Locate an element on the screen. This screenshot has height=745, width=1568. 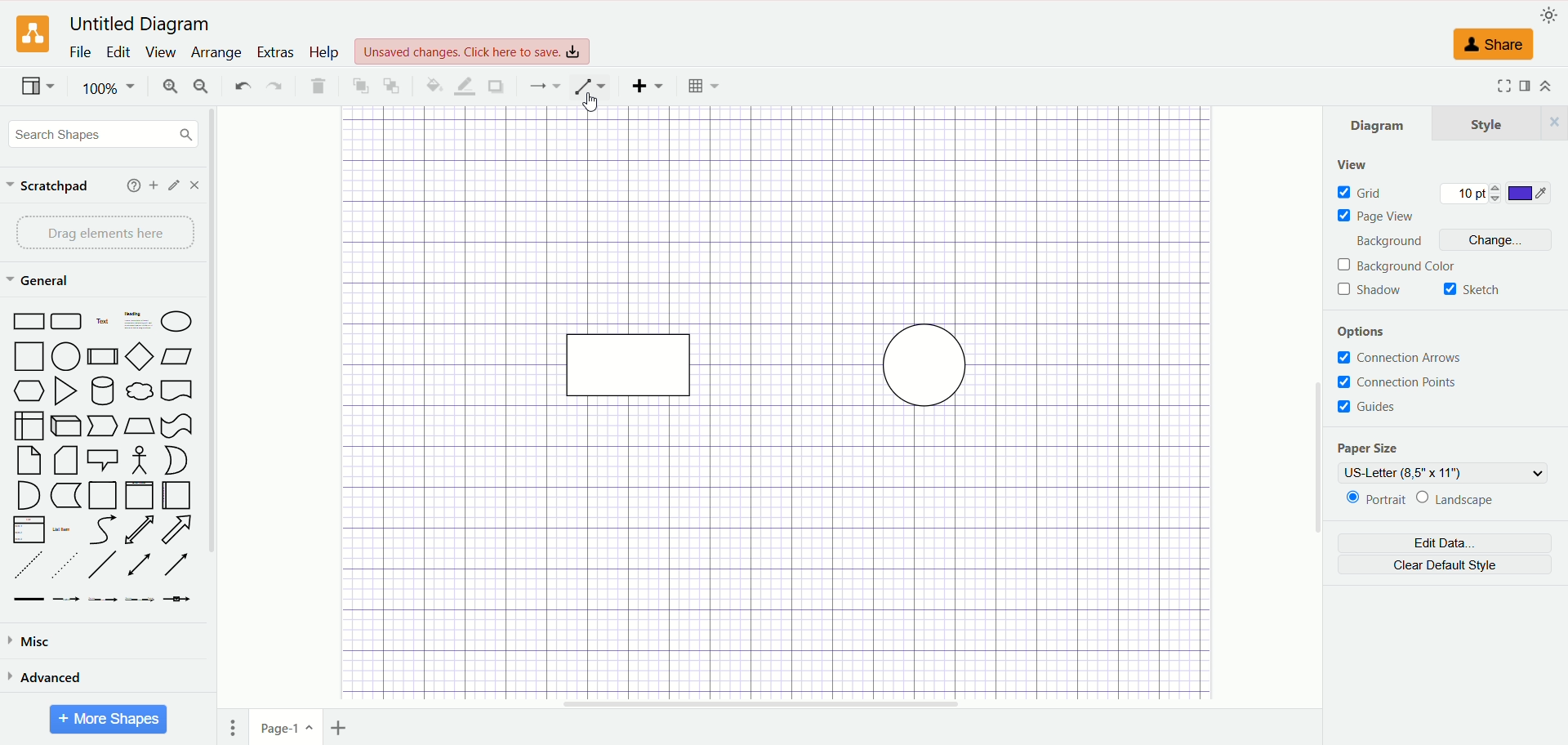
Speech Bubble is located at coordinates (104, 461).